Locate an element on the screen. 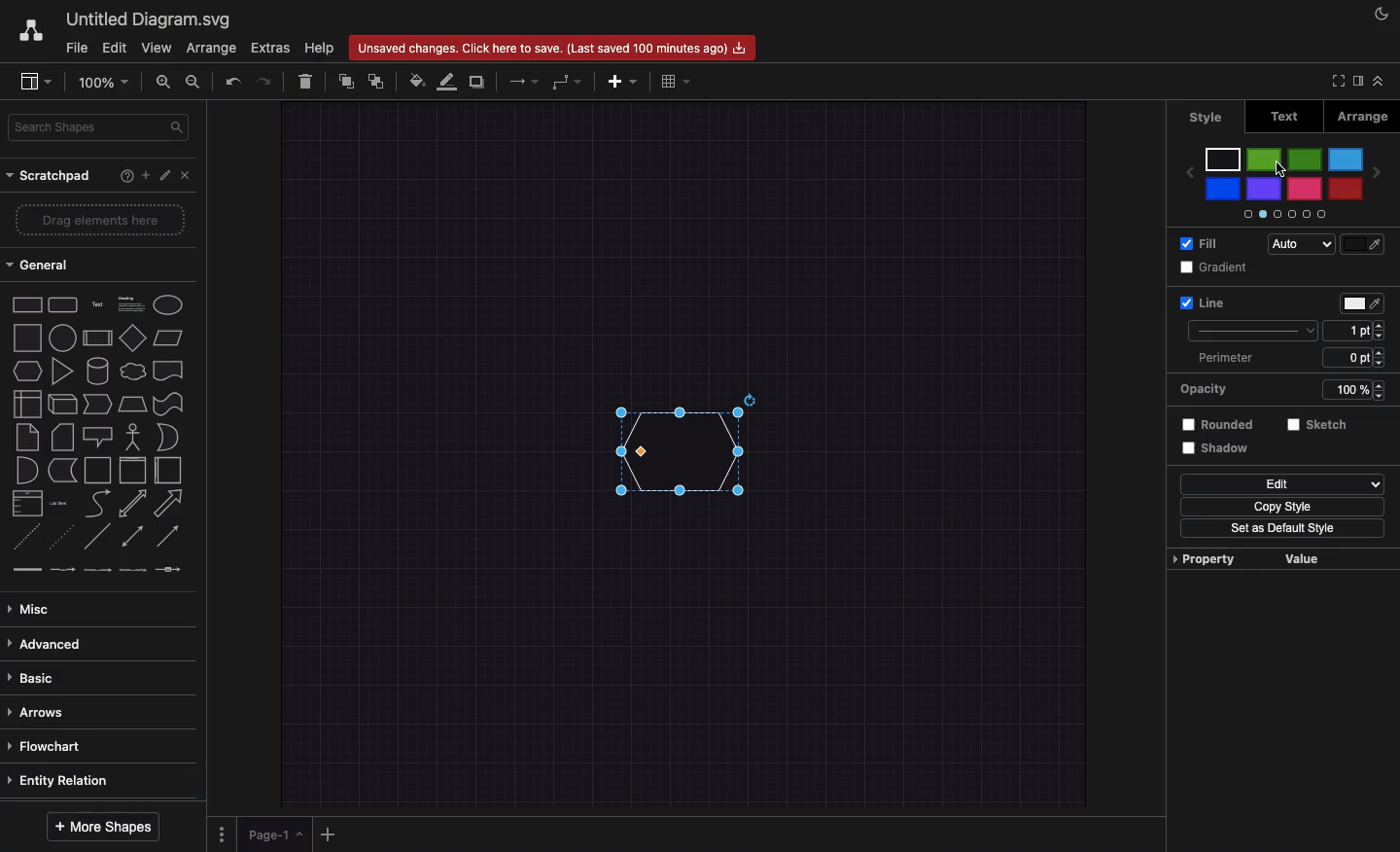 The width and height of the screenshot is (1400, 852). Unsaved changes. Click here to save. is located at coordinates (553, 47).